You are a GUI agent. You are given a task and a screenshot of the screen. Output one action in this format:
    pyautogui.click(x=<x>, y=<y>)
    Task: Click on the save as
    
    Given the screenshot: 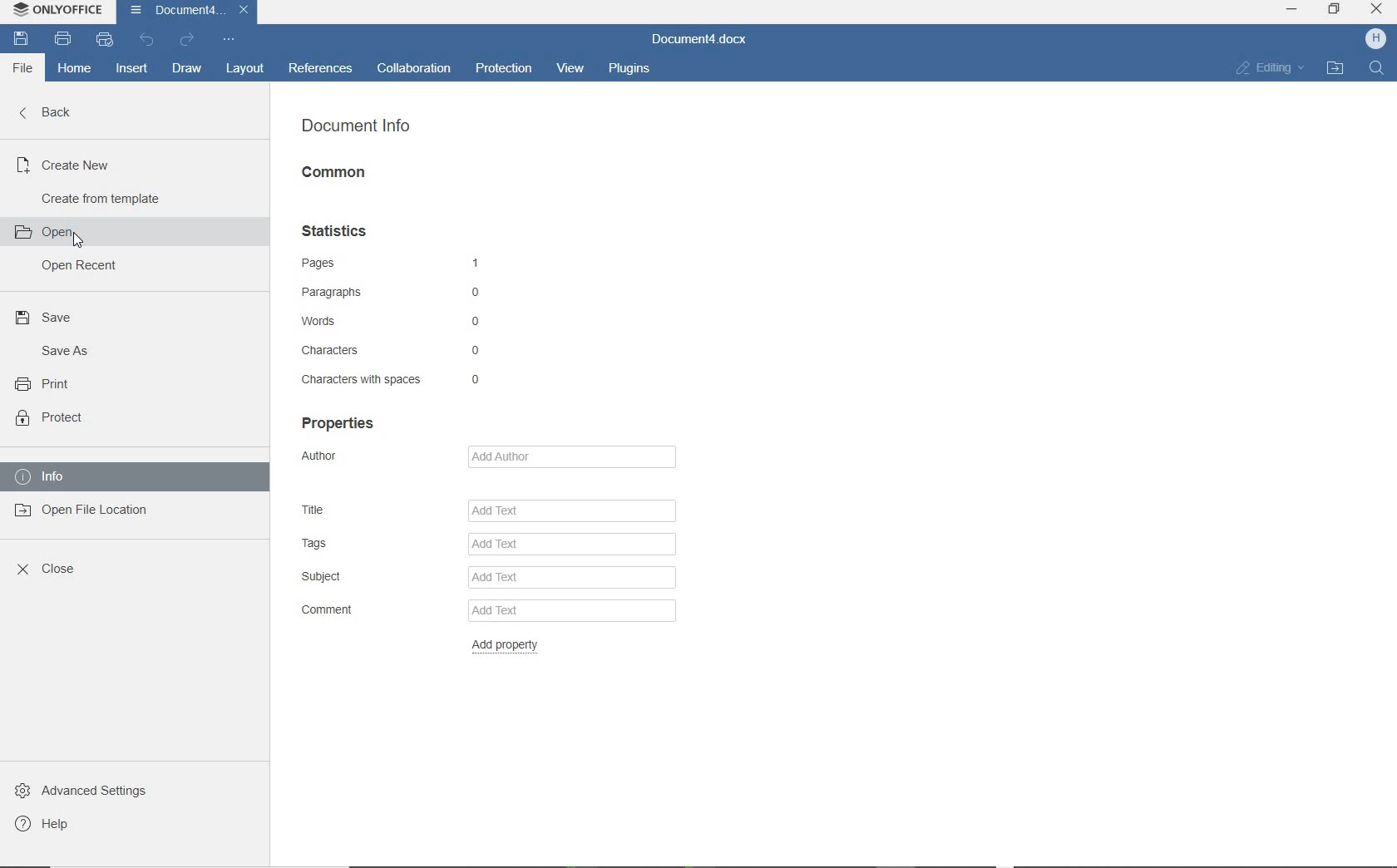 What is the action you would take?
    pyautogui.click(x=60, y=350)
    